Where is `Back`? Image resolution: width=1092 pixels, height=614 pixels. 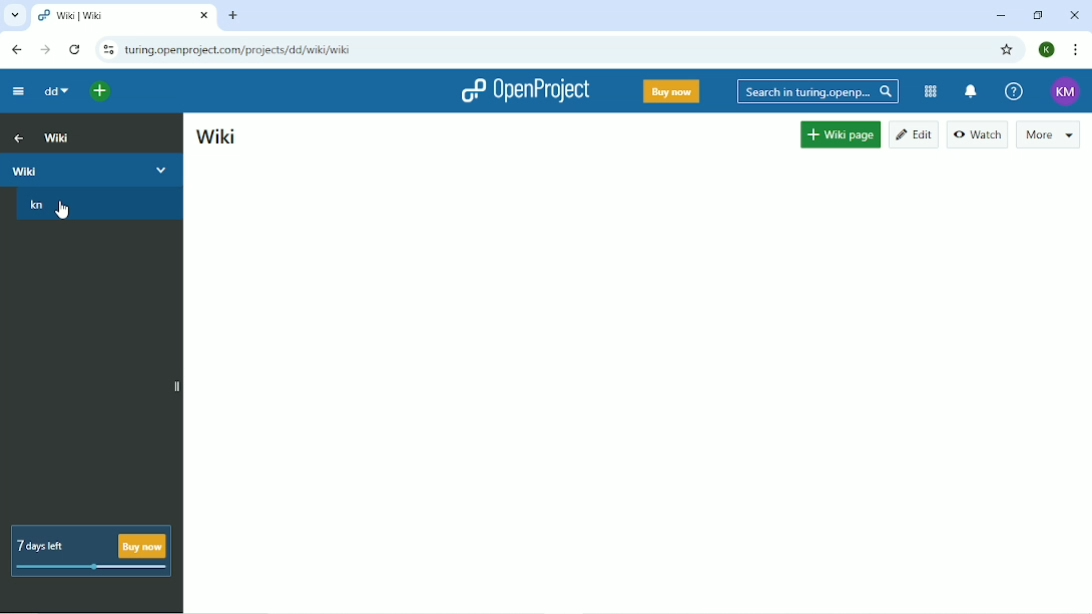 Back is located at coordinates (16, 50).